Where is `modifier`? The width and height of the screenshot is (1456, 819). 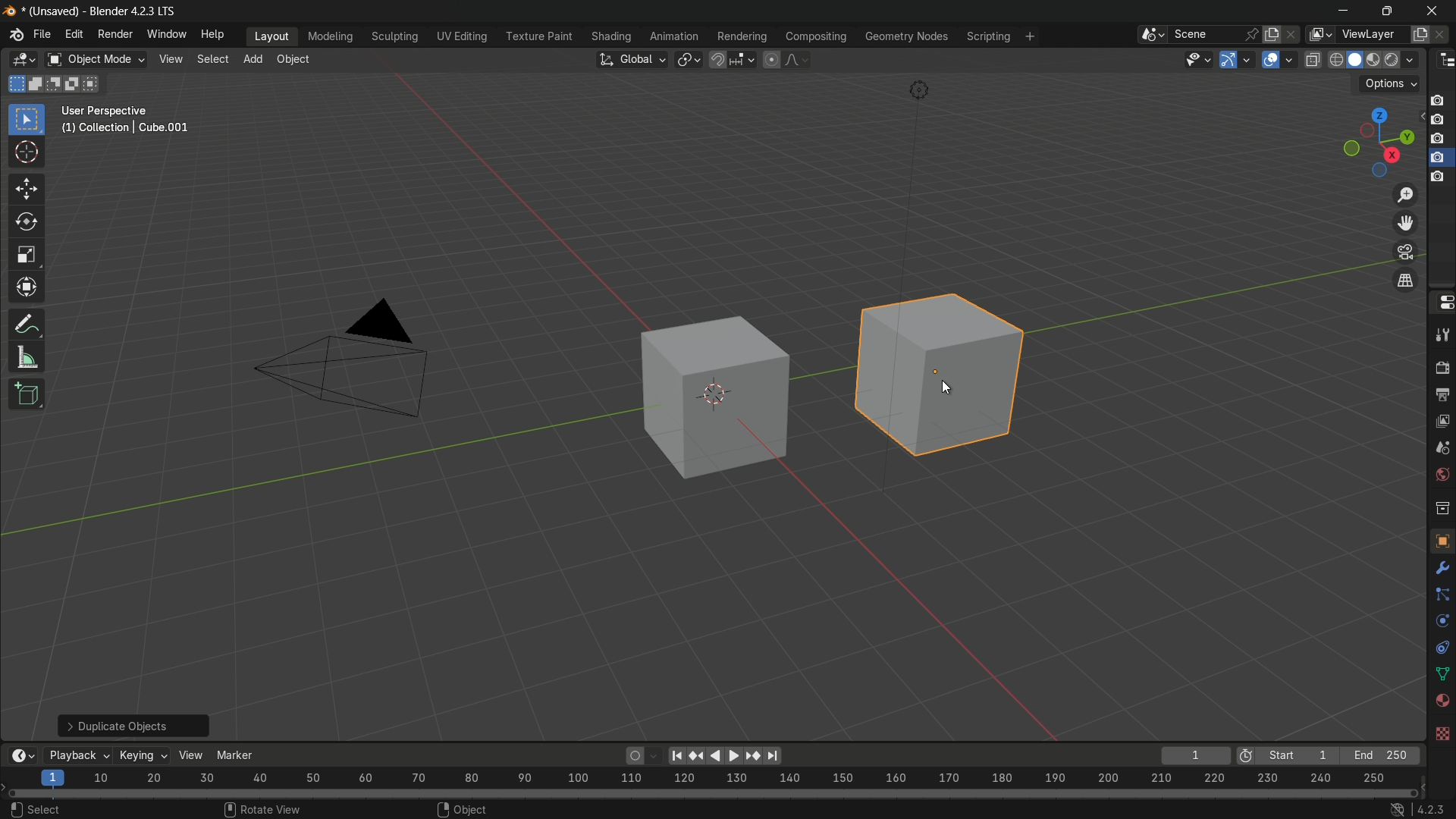 modifier is located at coordinates (1442, 565).